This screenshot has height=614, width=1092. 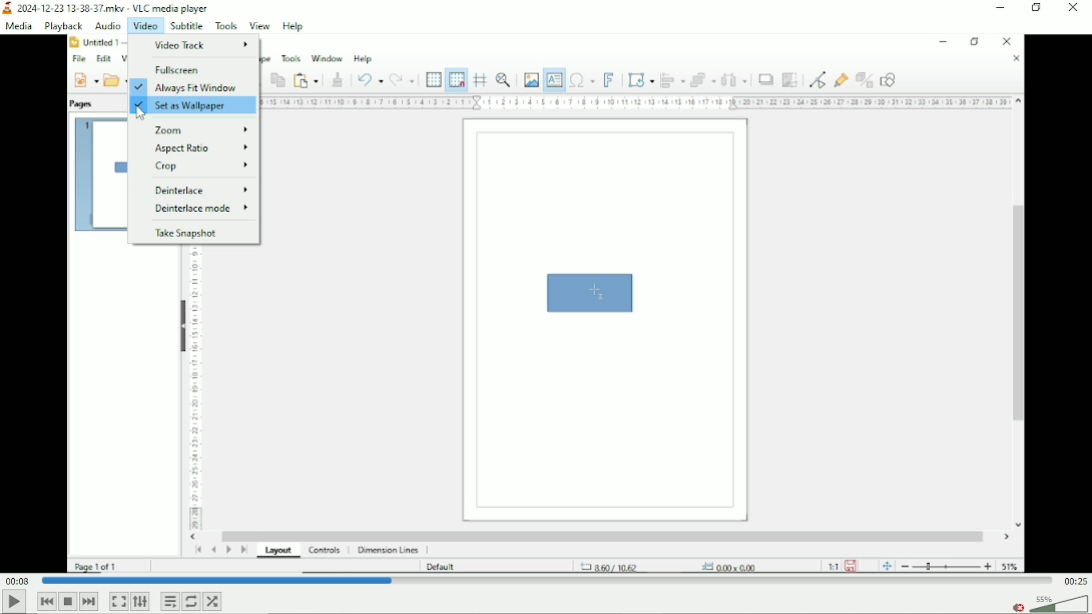 I want to click on random, so click(x=213, y=601).